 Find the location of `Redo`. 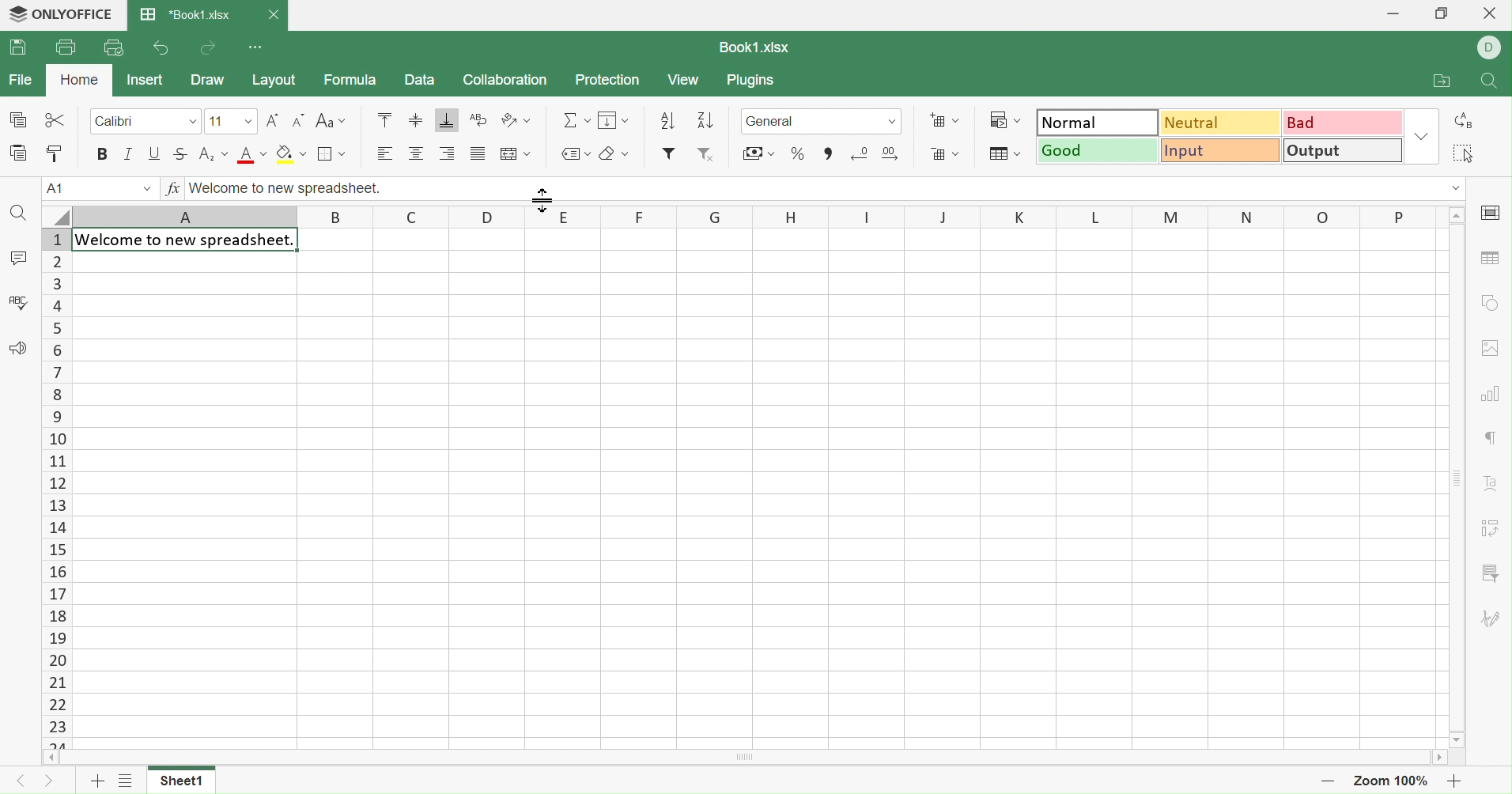

Redo is located at coordinates (211, 49).